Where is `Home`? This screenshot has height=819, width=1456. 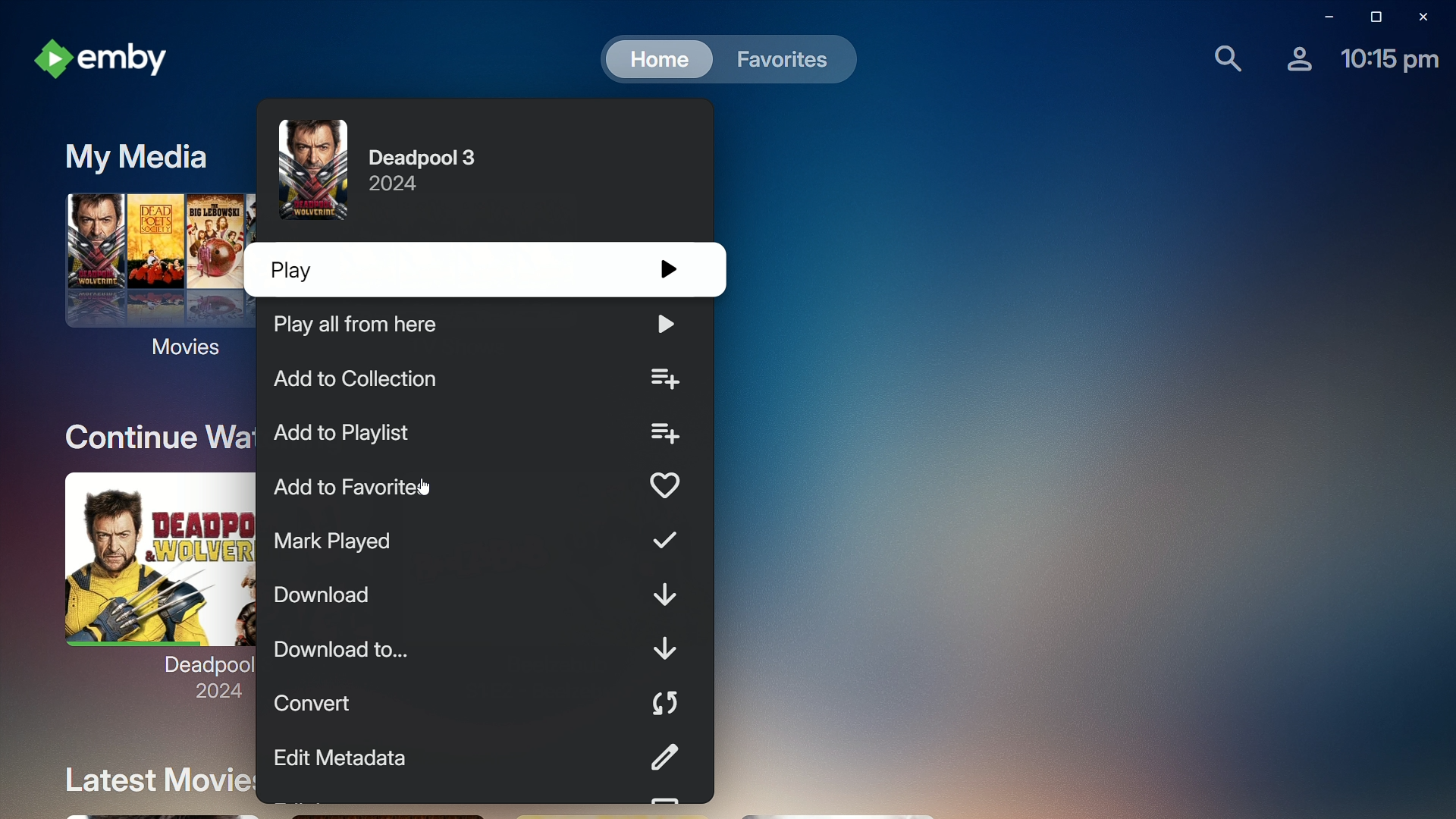
Home is located at coordinates (652, 59).